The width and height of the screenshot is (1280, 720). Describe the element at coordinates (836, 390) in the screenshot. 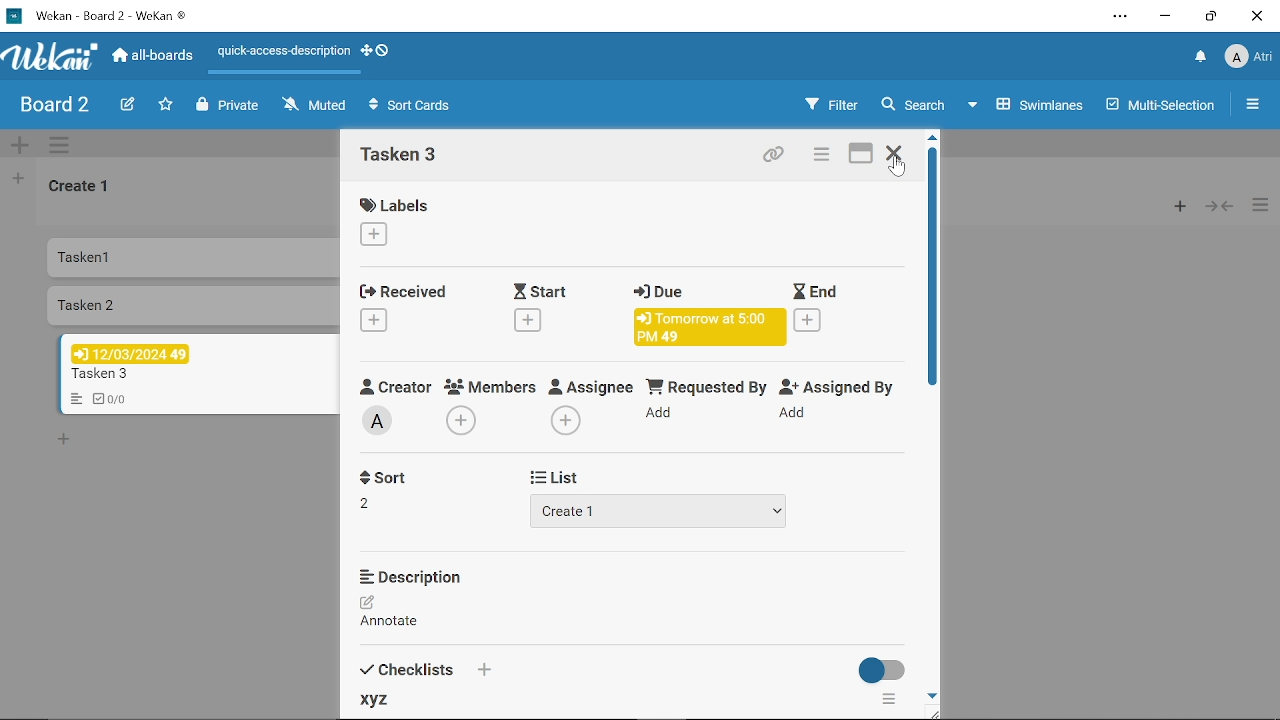

I see `Assigned By` at that location.